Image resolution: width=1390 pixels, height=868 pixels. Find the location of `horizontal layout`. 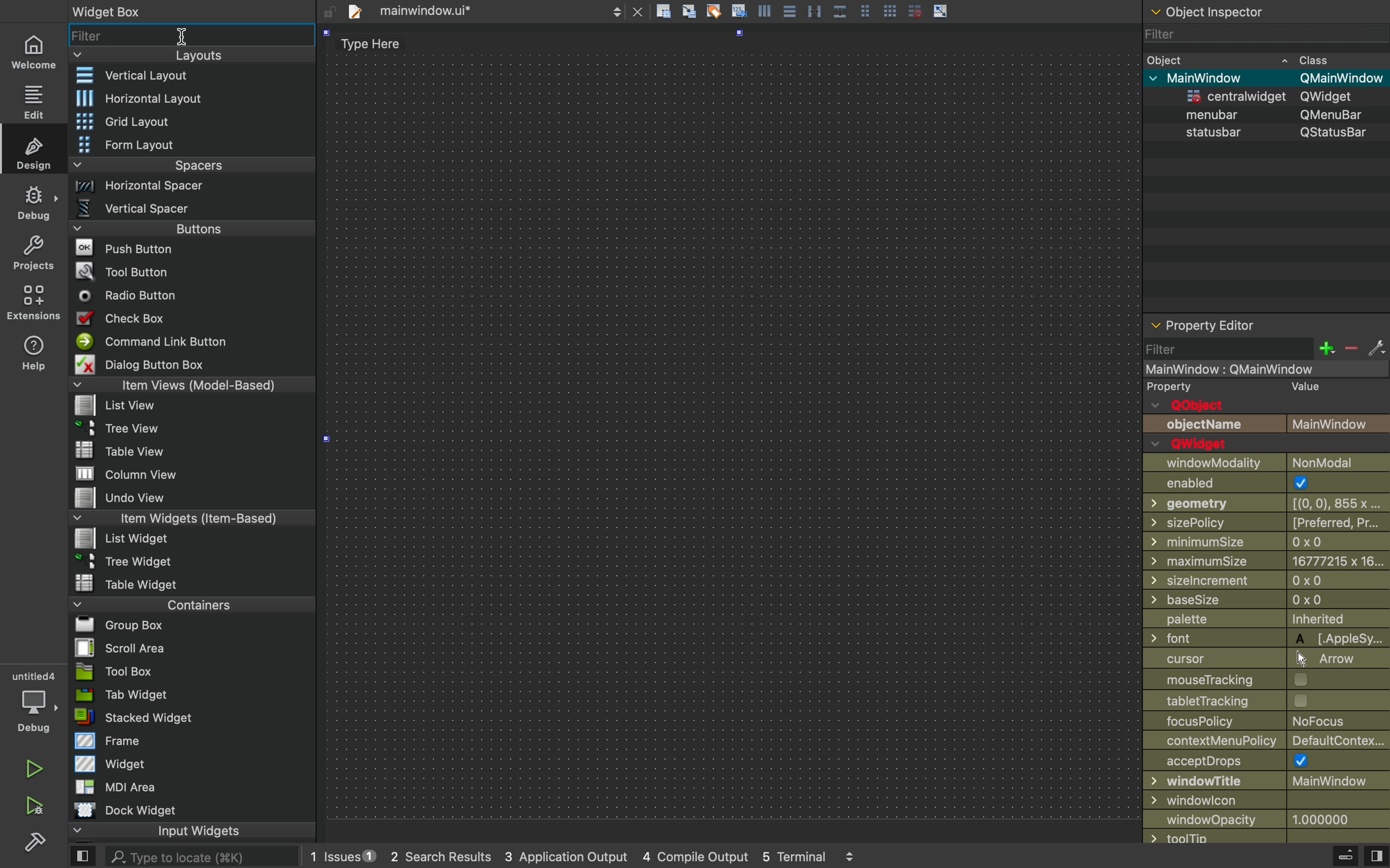

horizontal layout is located at coordinates (190, 98).